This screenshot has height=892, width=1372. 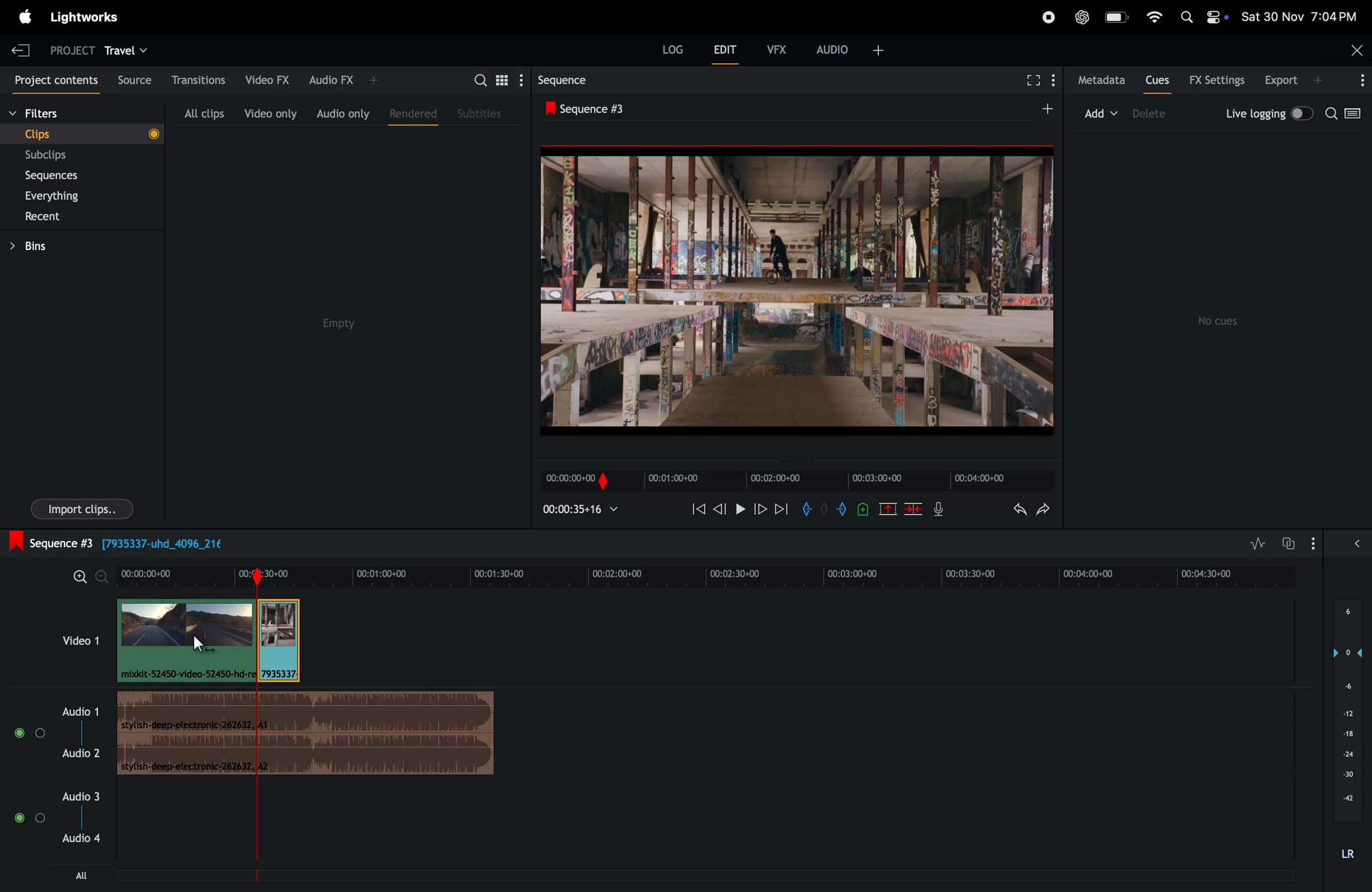 What do you see at coordinates (1267, 114) in the screenshot?
I see `live logging` at bounding box center [1267, 114].